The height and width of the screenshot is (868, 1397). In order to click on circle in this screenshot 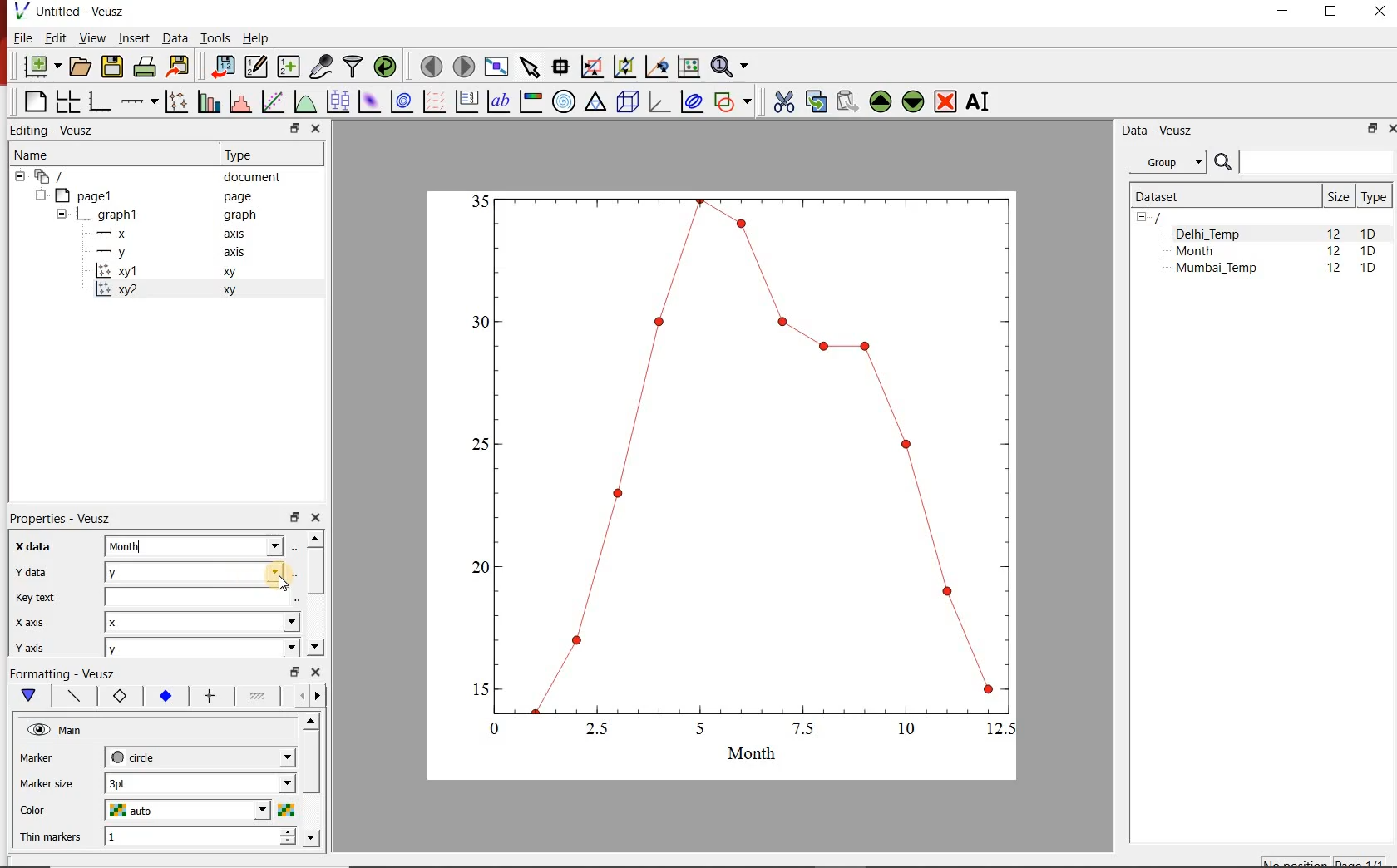, I will do `click(200, 757)`.